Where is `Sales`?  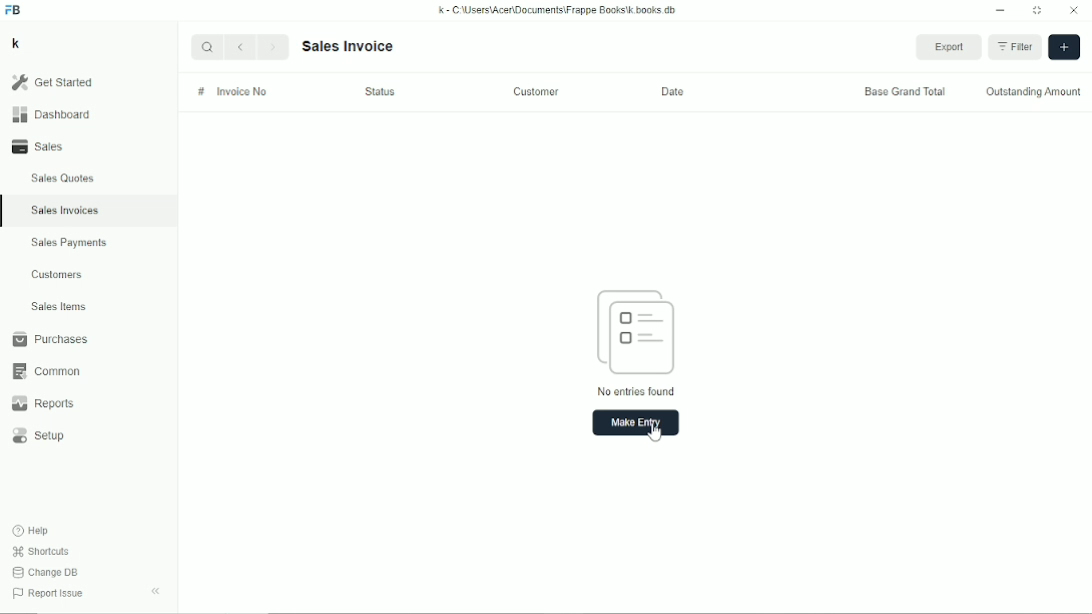 Sales is located at coordinates (41, 146).